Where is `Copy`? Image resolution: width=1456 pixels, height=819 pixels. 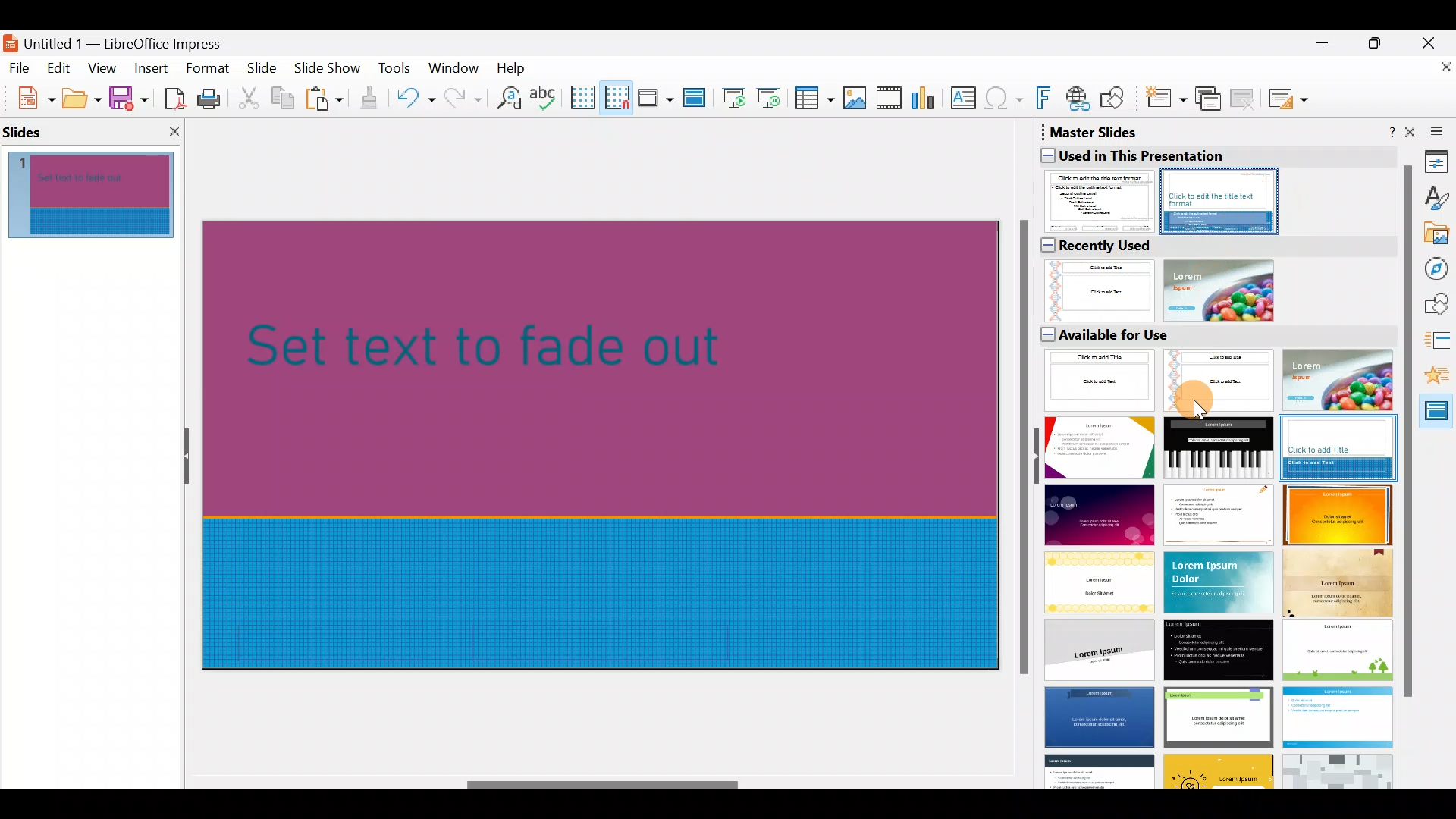 Copy is located at coordinates (281, 99).